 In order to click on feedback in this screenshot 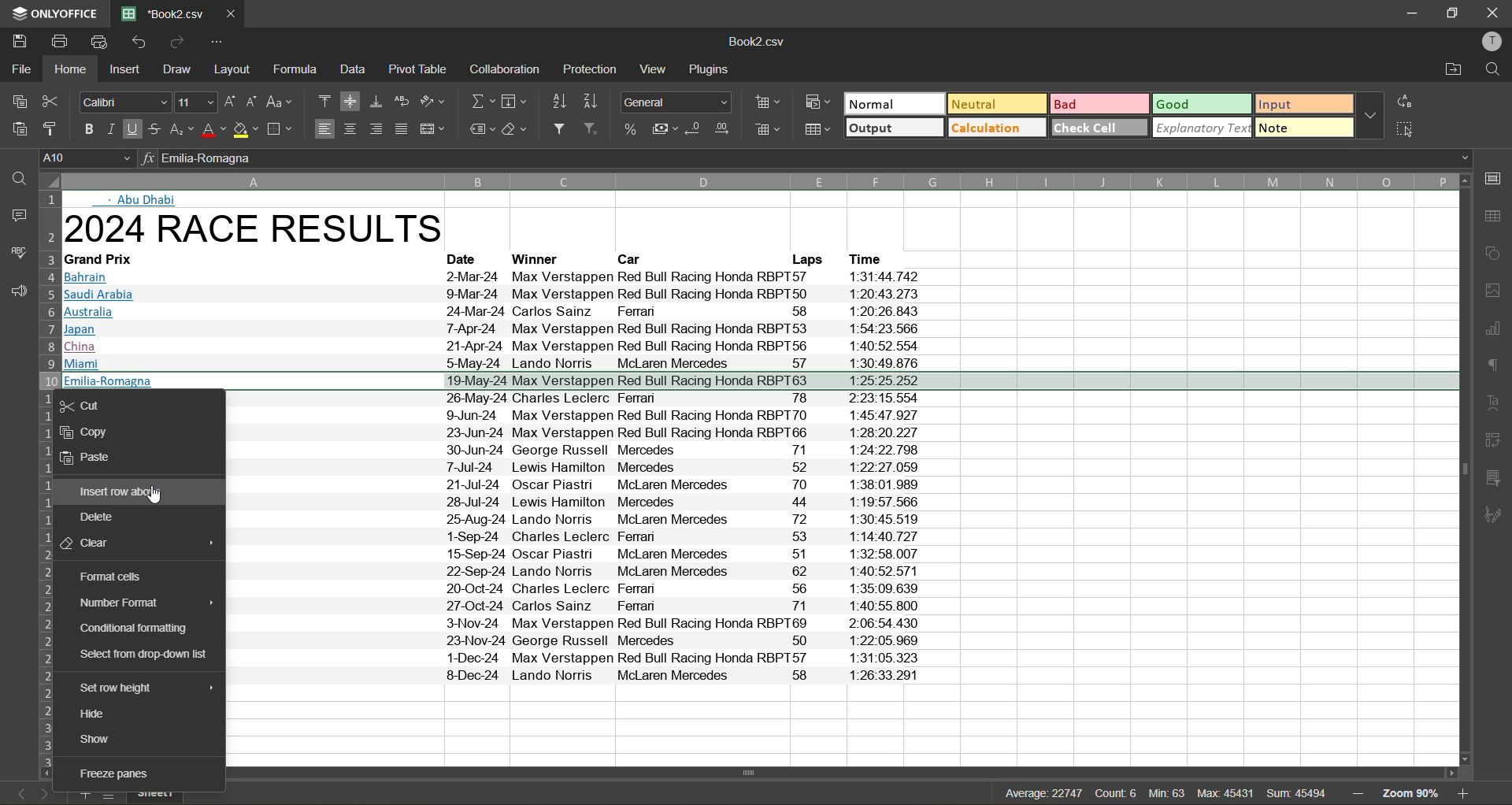, I will do `click(15, 290)`.